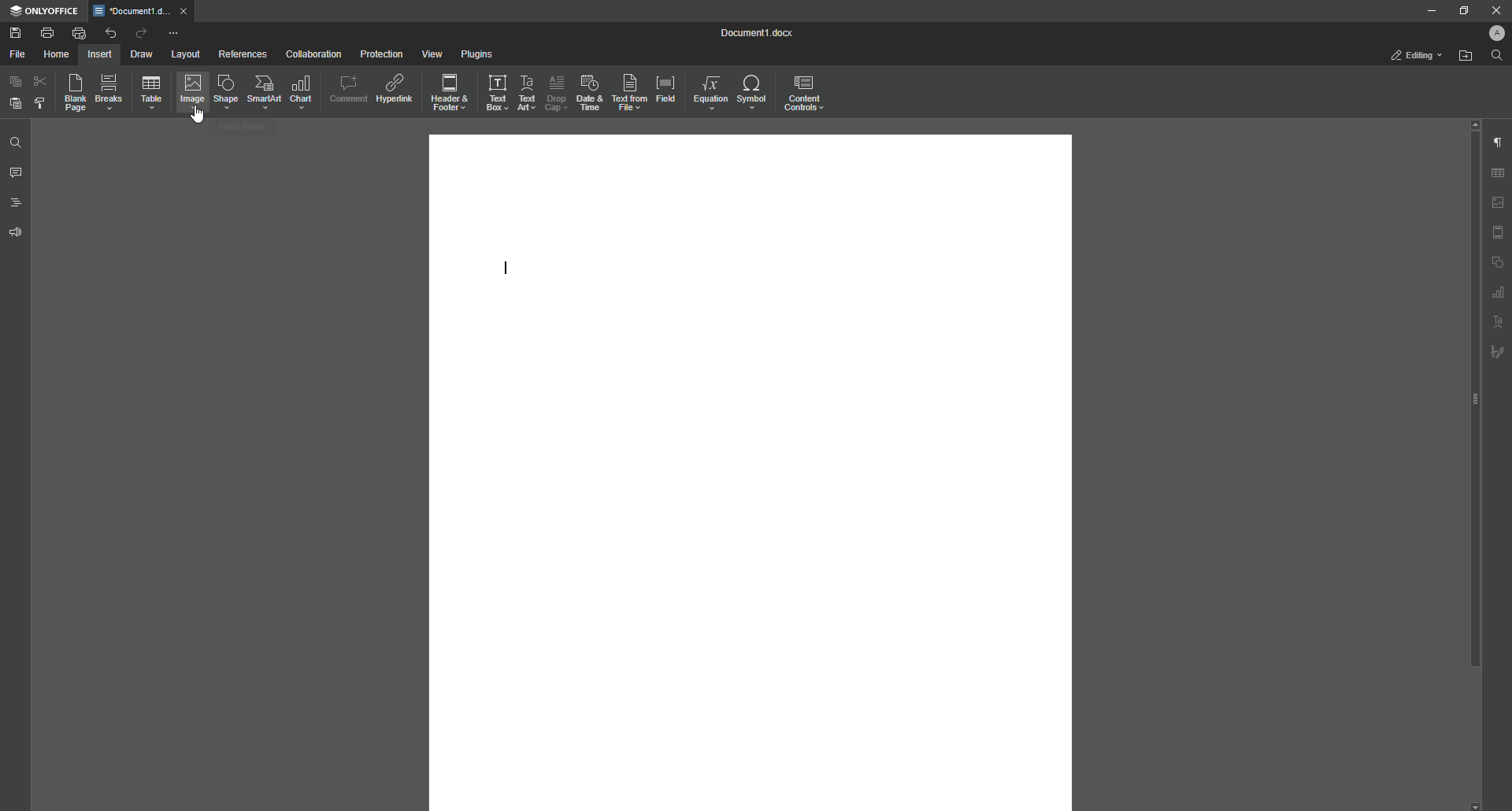  What do you see at coordinates (299, 93) in the screenshot?
I see `Chart` at bounding box center [299, 93].